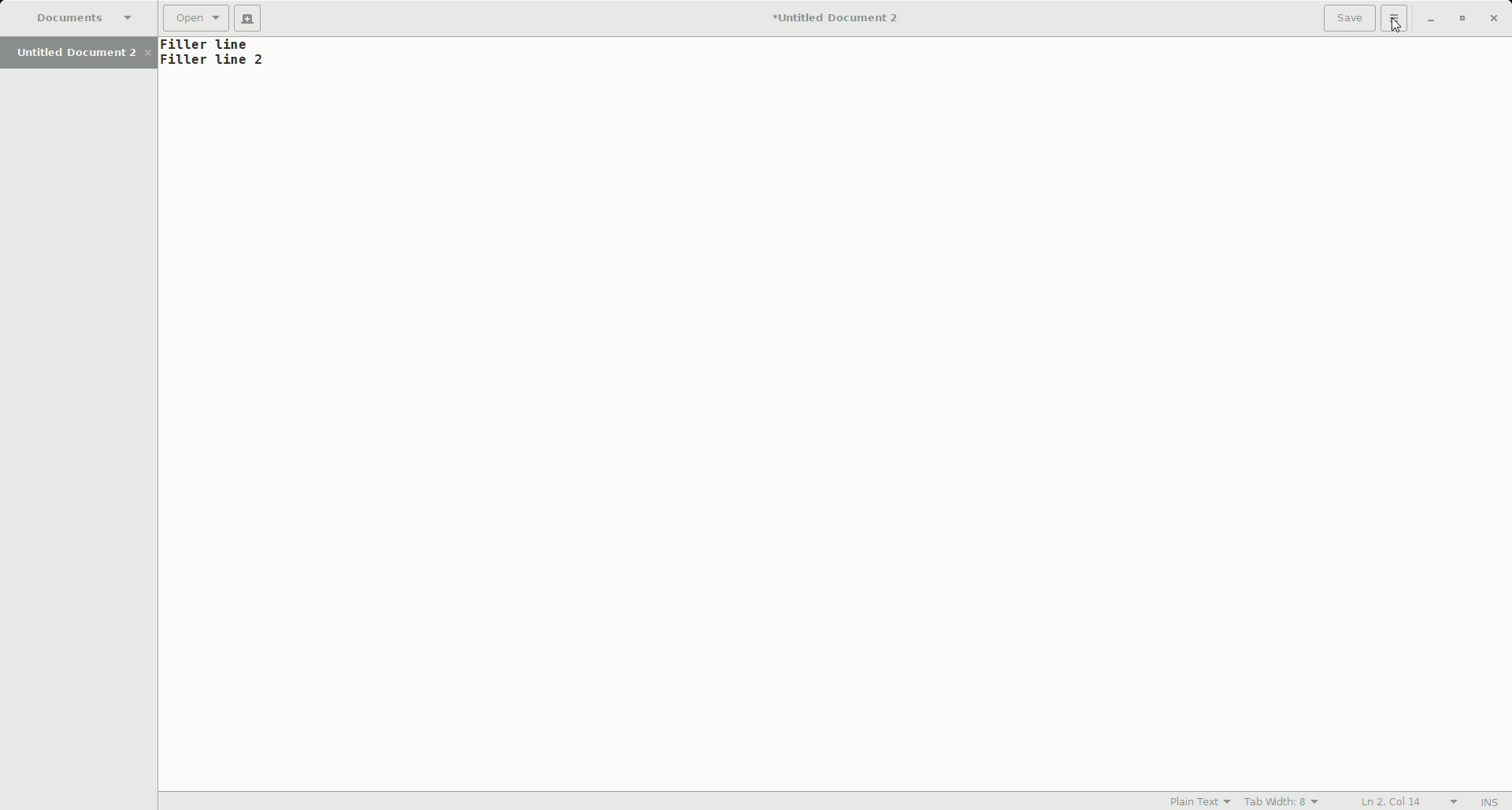 The width and height of the screenshot is (1512, 810). Describe the element at coordinates (1460, 19) in the screenshot. I see `Restore` at that location.